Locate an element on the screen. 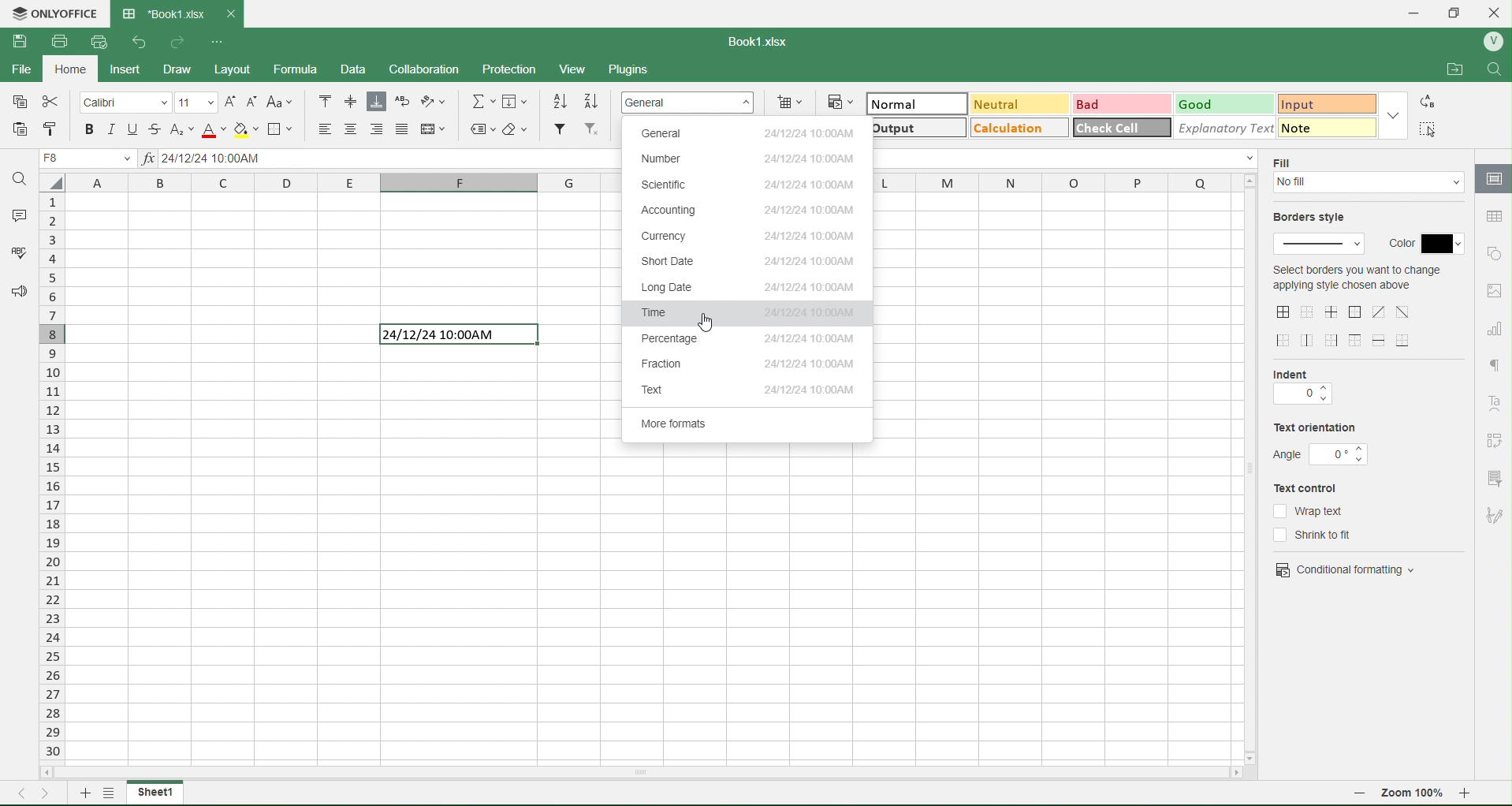 The height and width of the screenshot is (806, 1512). wrap text is located at coordinates (1309, 510).